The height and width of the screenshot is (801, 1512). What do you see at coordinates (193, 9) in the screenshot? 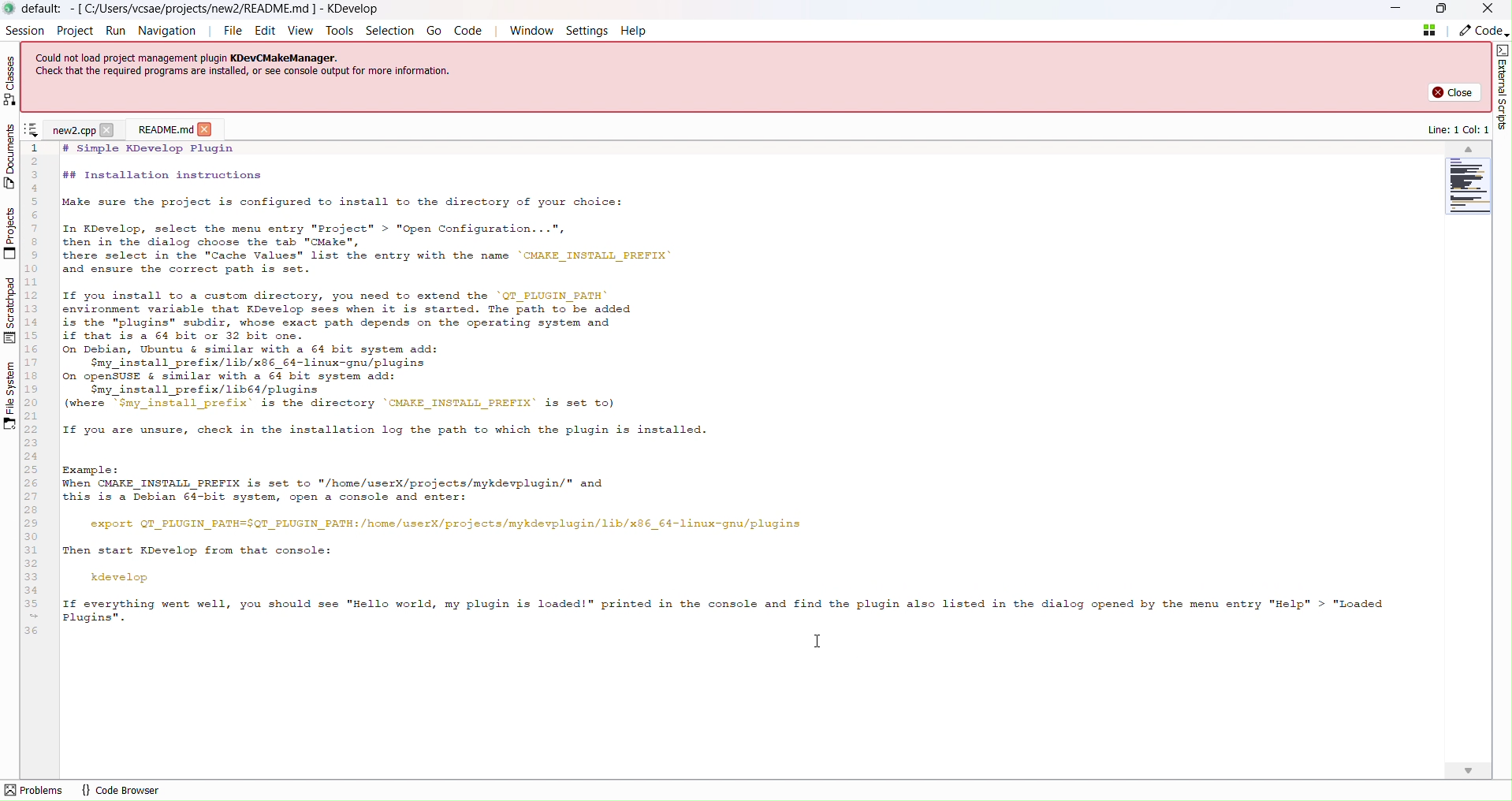
I see `new file name and application name` at bounding box center [193, 9].